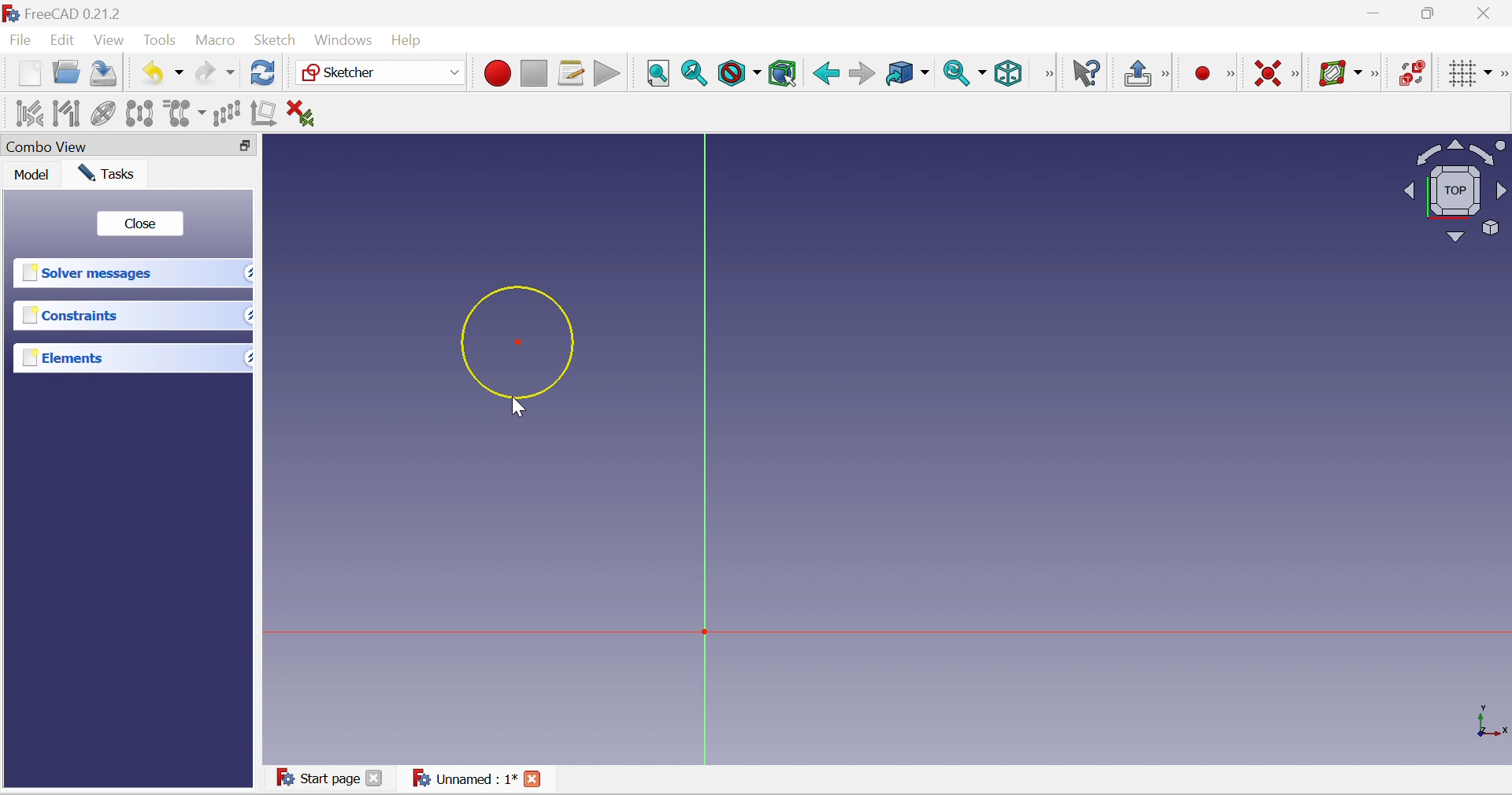 Image resolution: width=1512 pixels, height=795 pixels. What do you see at coordinates (1492, 719) in the screenshot?
I see `x, y, z axis` at bounding box center [1492, 719].